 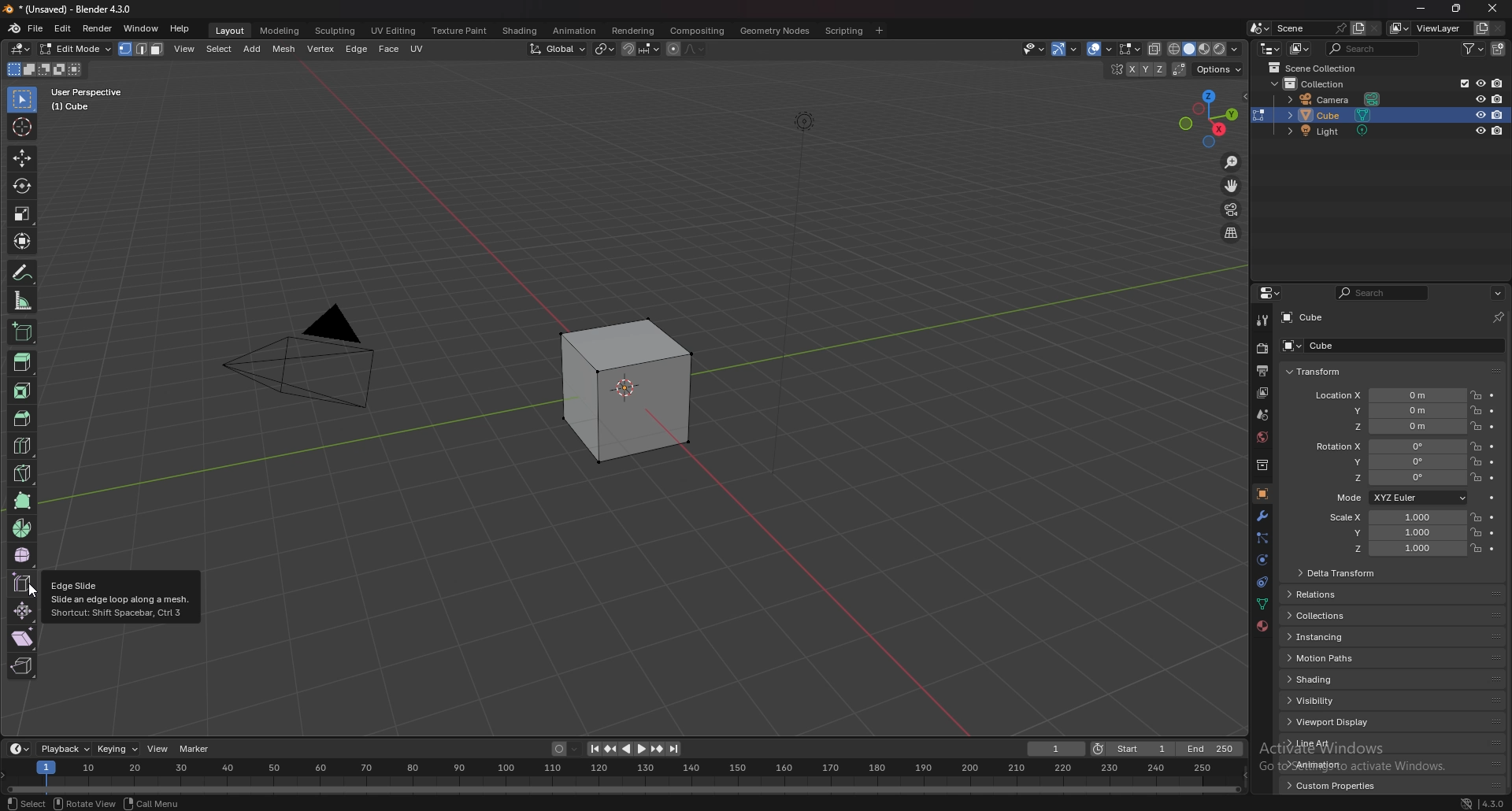 I want to click on object, so click(x=246, y=49).